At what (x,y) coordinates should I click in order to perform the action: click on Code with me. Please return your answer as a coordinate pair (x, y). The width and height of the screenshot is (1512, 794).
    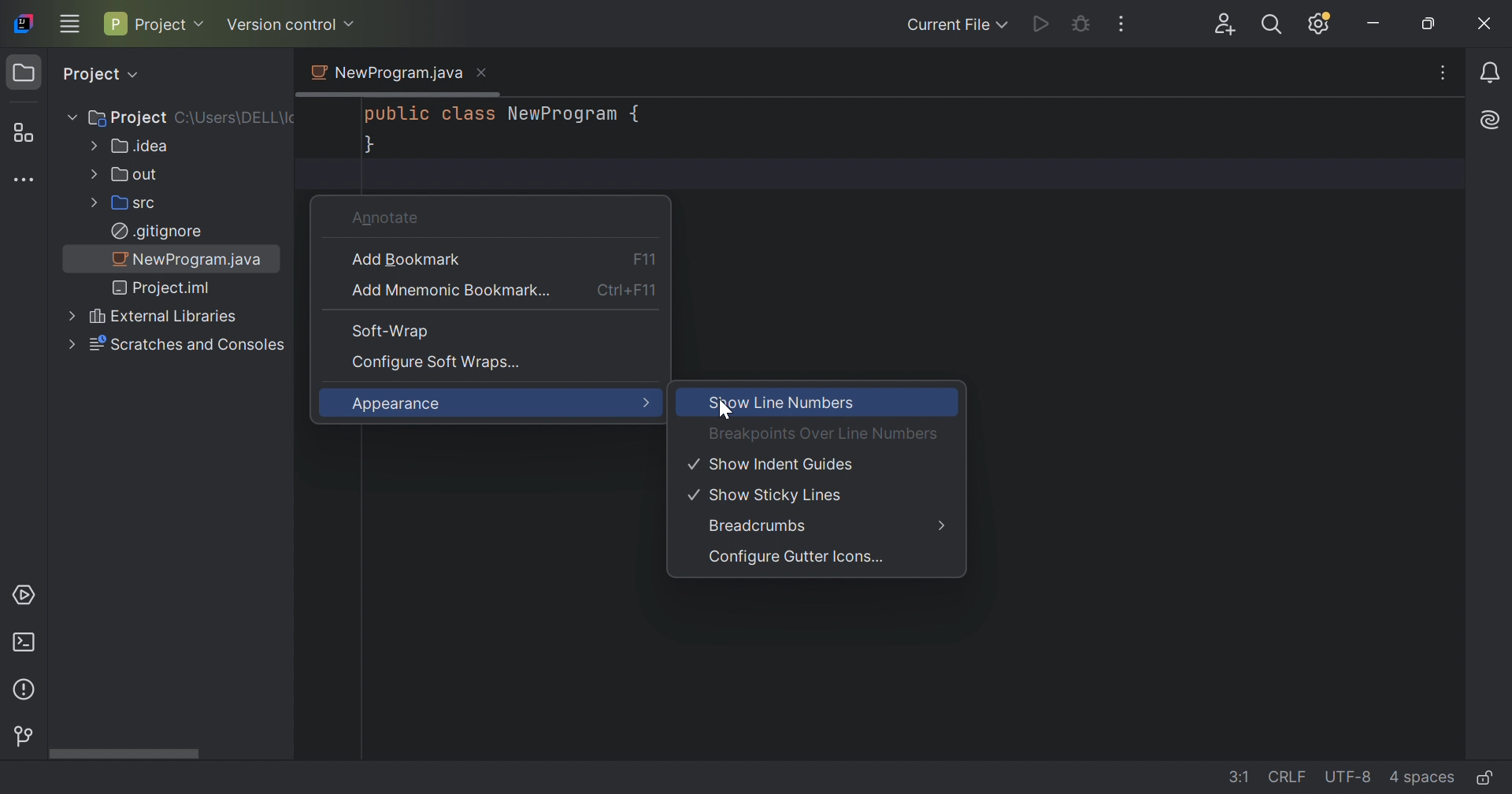
    Looking at the image, I should click on (1225, 25).